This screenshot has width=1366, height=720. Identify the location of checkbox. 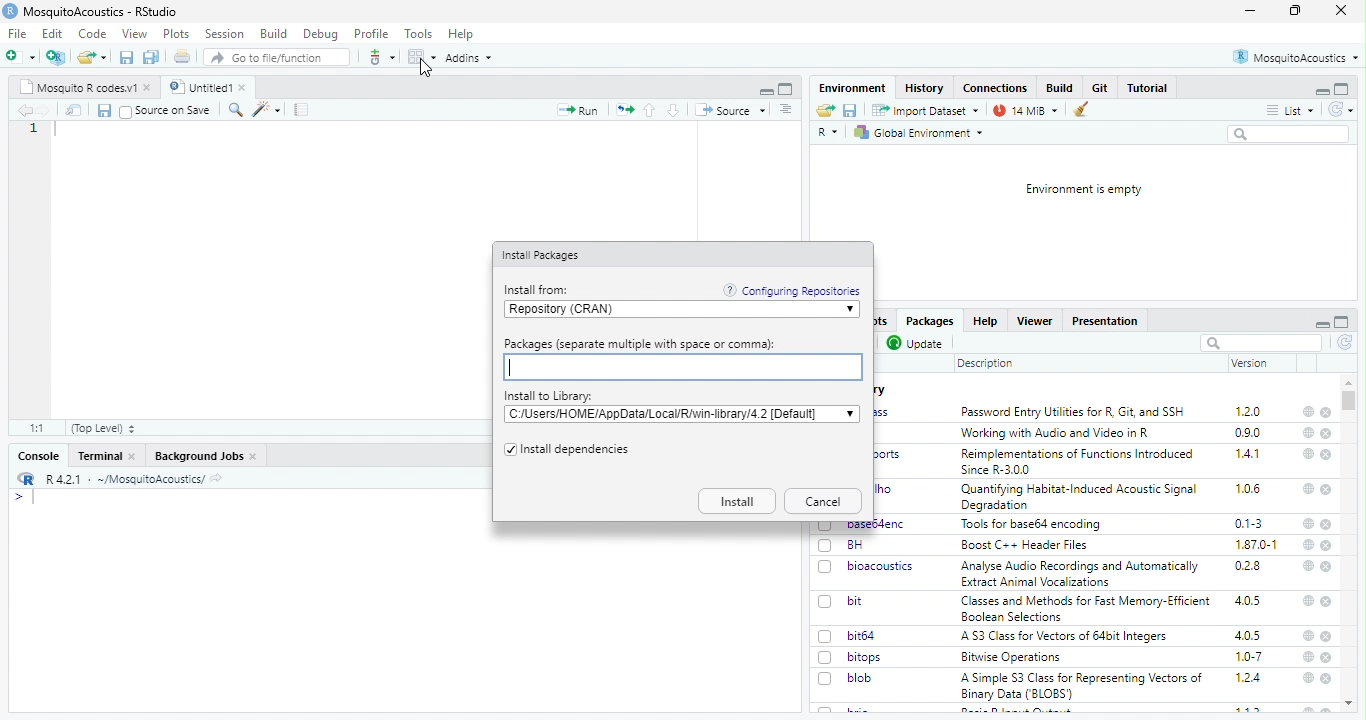
(826, 658).